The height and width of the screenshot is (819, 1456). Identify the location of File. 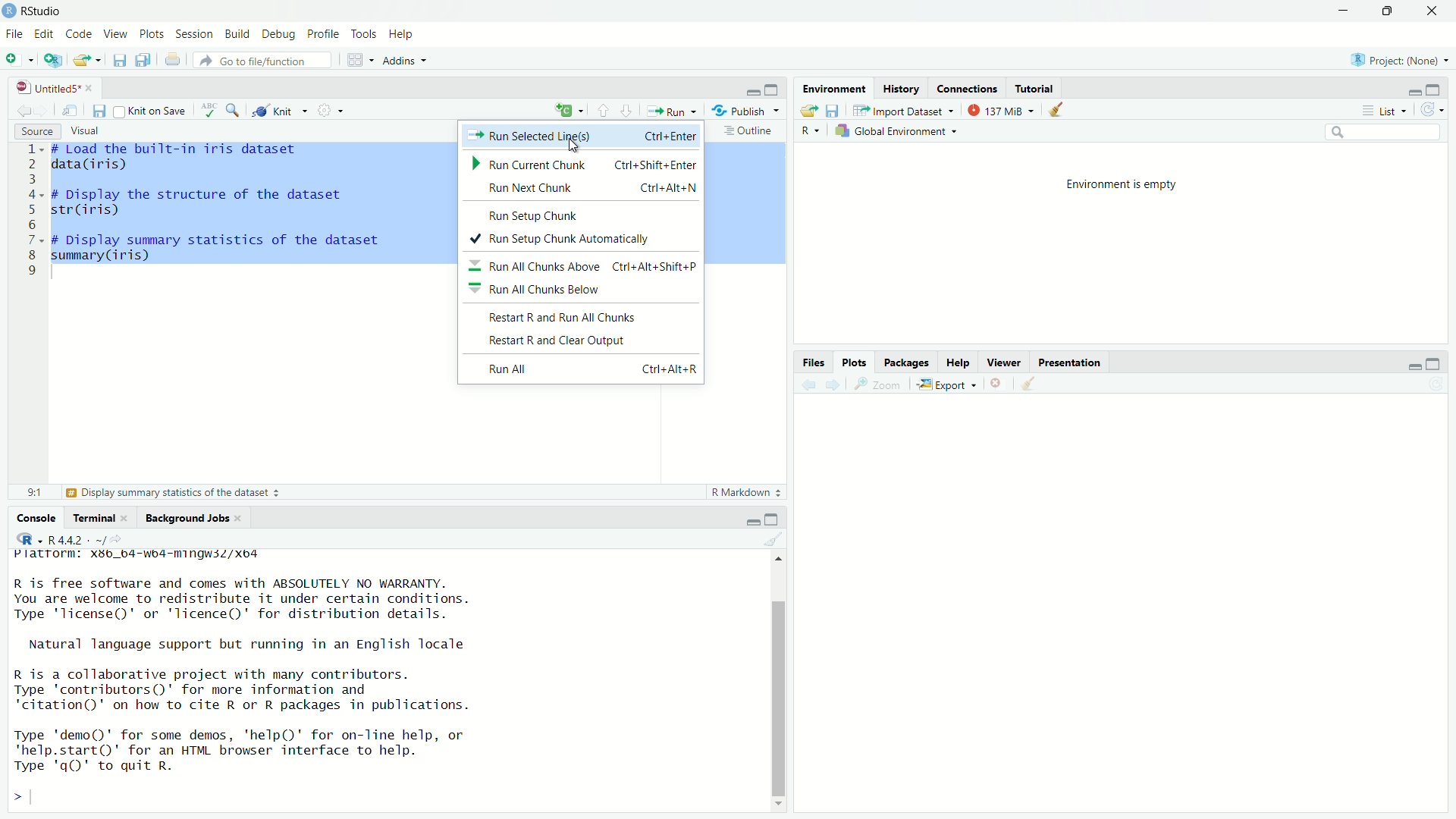
(15, 34).